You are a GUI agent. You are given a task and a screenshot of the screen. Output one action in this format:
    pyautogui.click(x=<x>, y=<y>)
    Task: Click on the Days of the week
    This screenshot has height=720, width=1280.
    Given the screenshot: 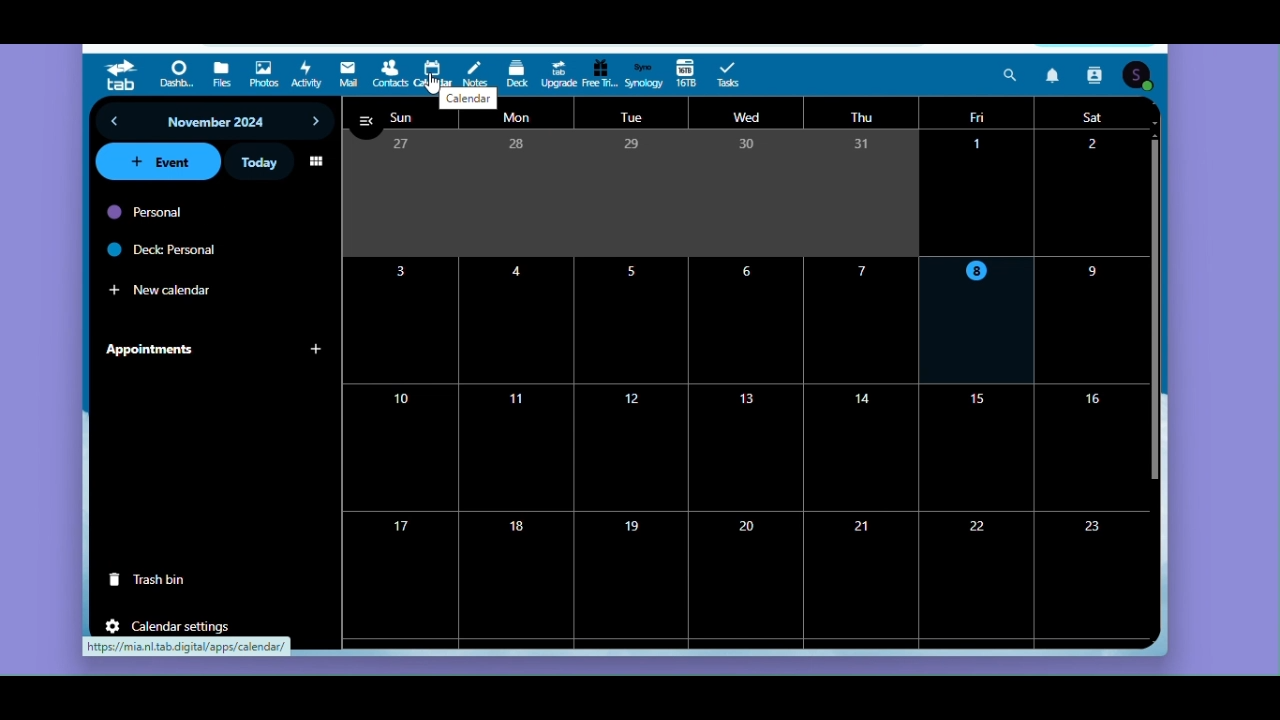 What is the action you would take?
    pyautogui.click(x=753, y=116)
    